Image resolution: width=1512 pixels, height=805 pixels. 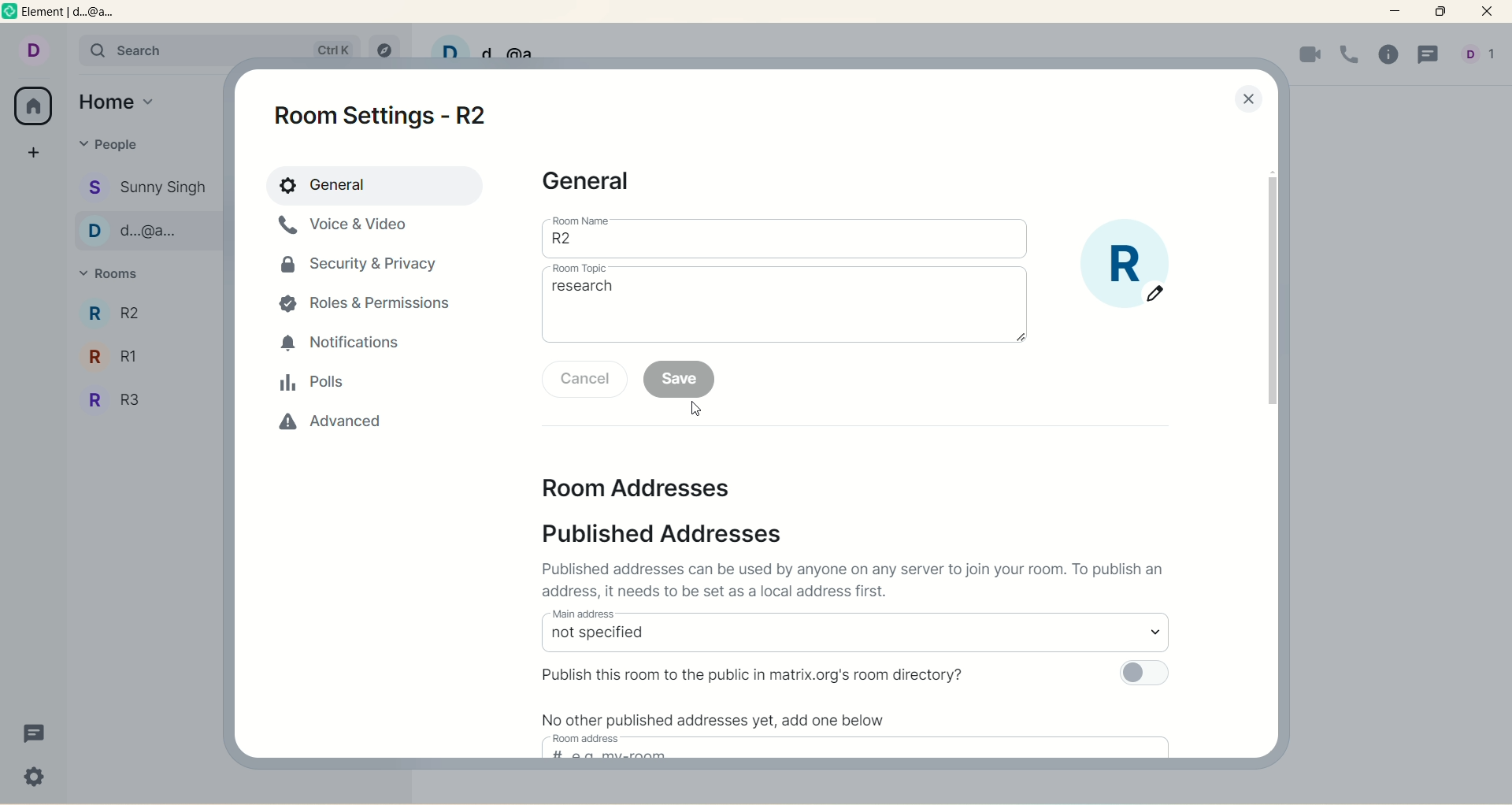 I want to click on voice call, so click(x=1350, y=54).